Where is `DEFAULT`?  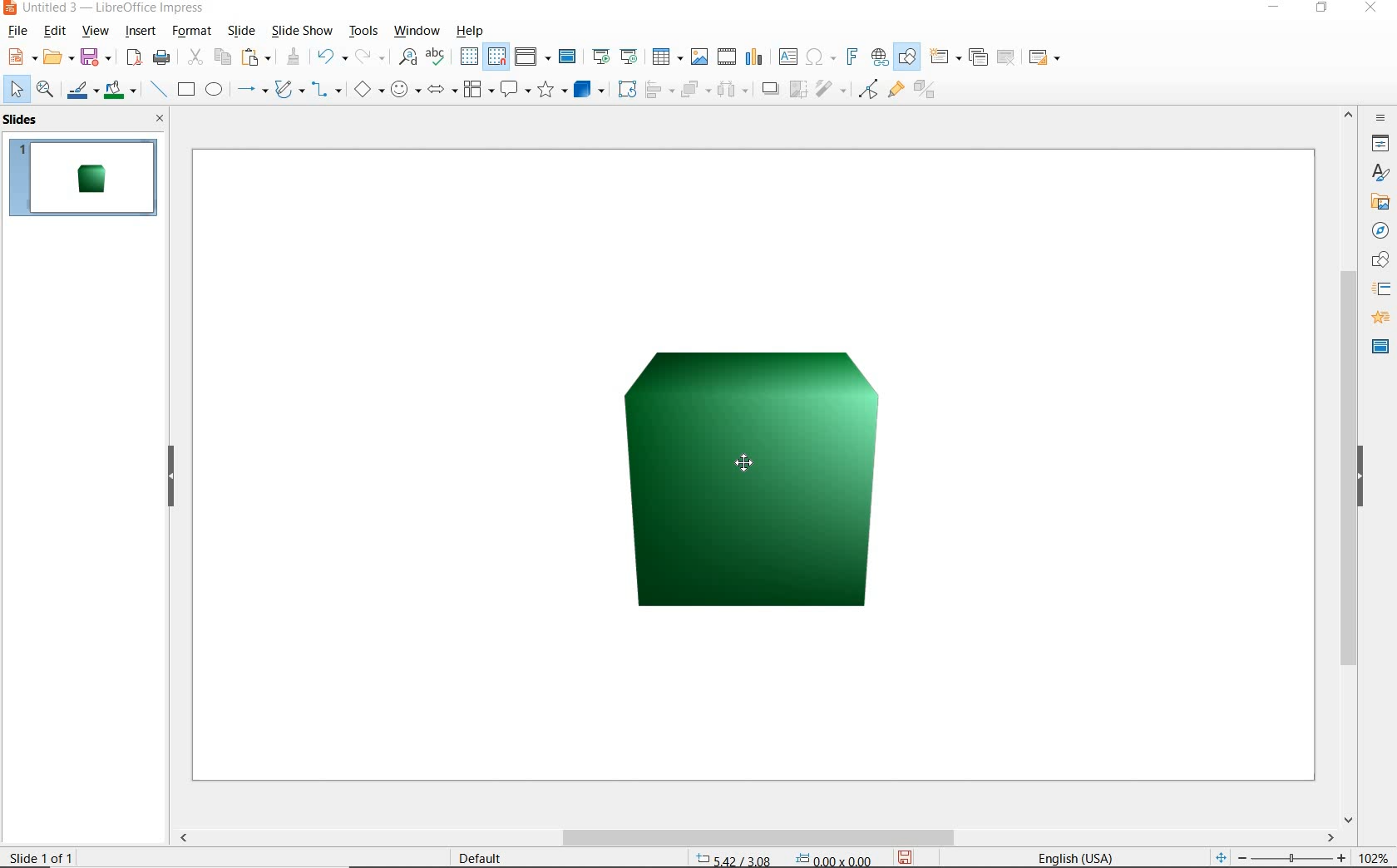
DEFAULT is located at coordinates (484, 857).